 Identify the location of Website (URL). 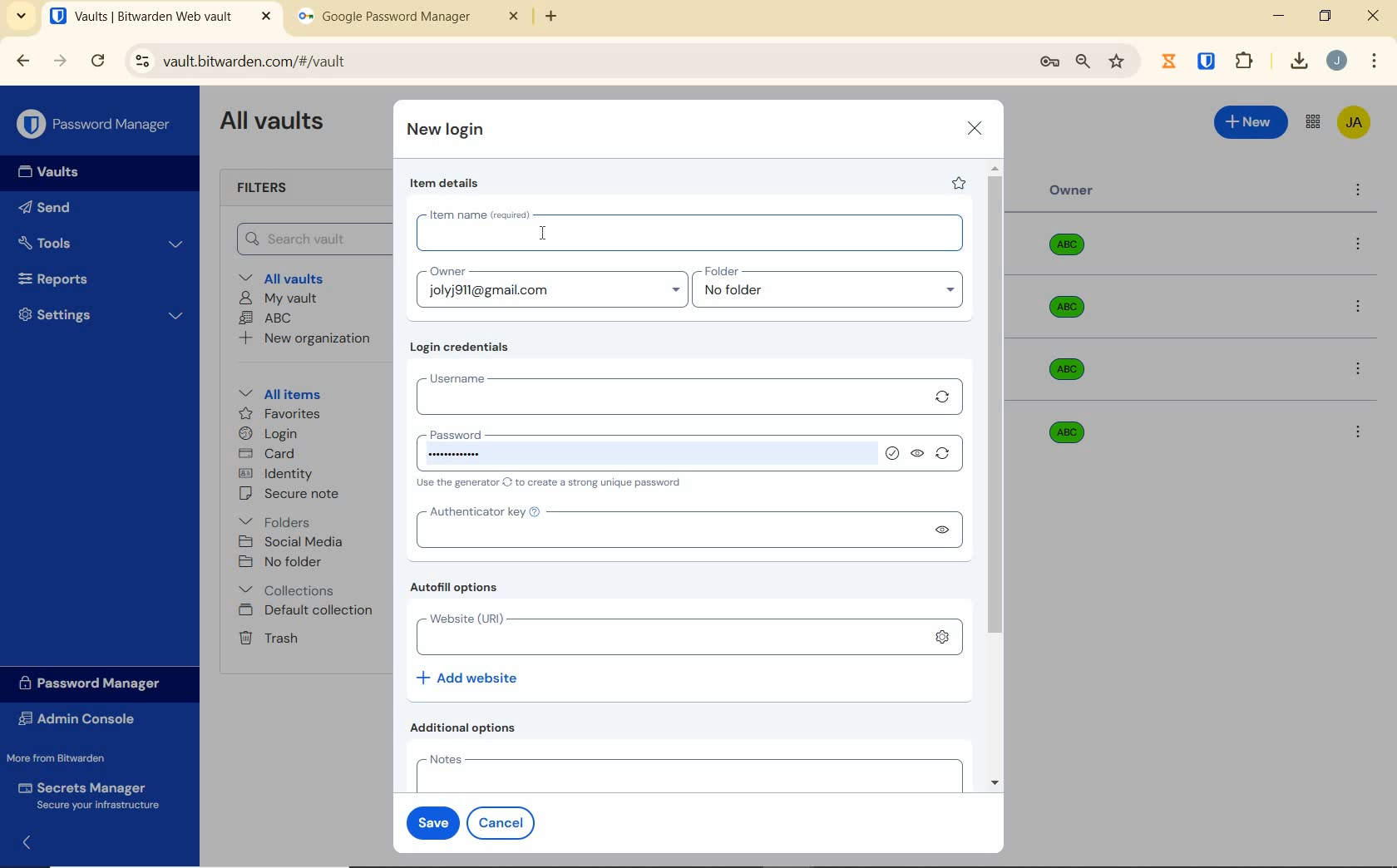
(667, 634).